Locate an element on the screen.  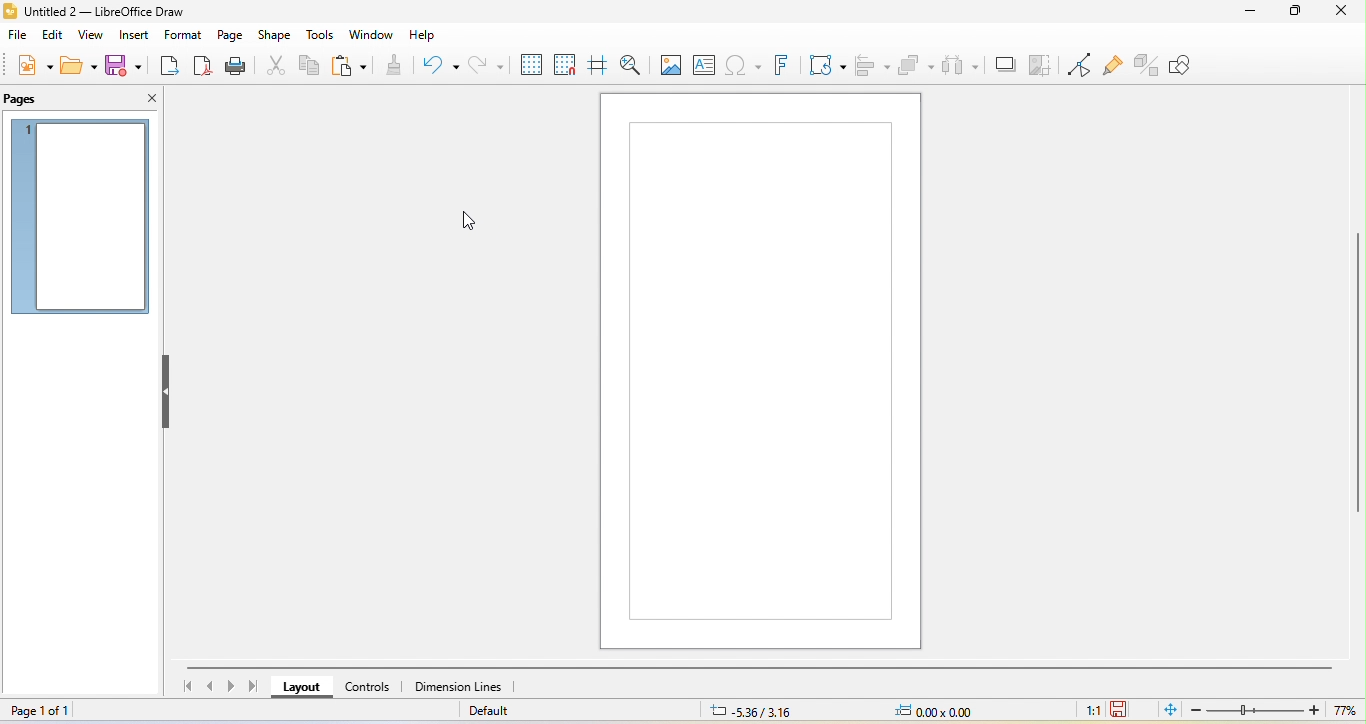
zoom and pan is located at coordinates (628, 65).